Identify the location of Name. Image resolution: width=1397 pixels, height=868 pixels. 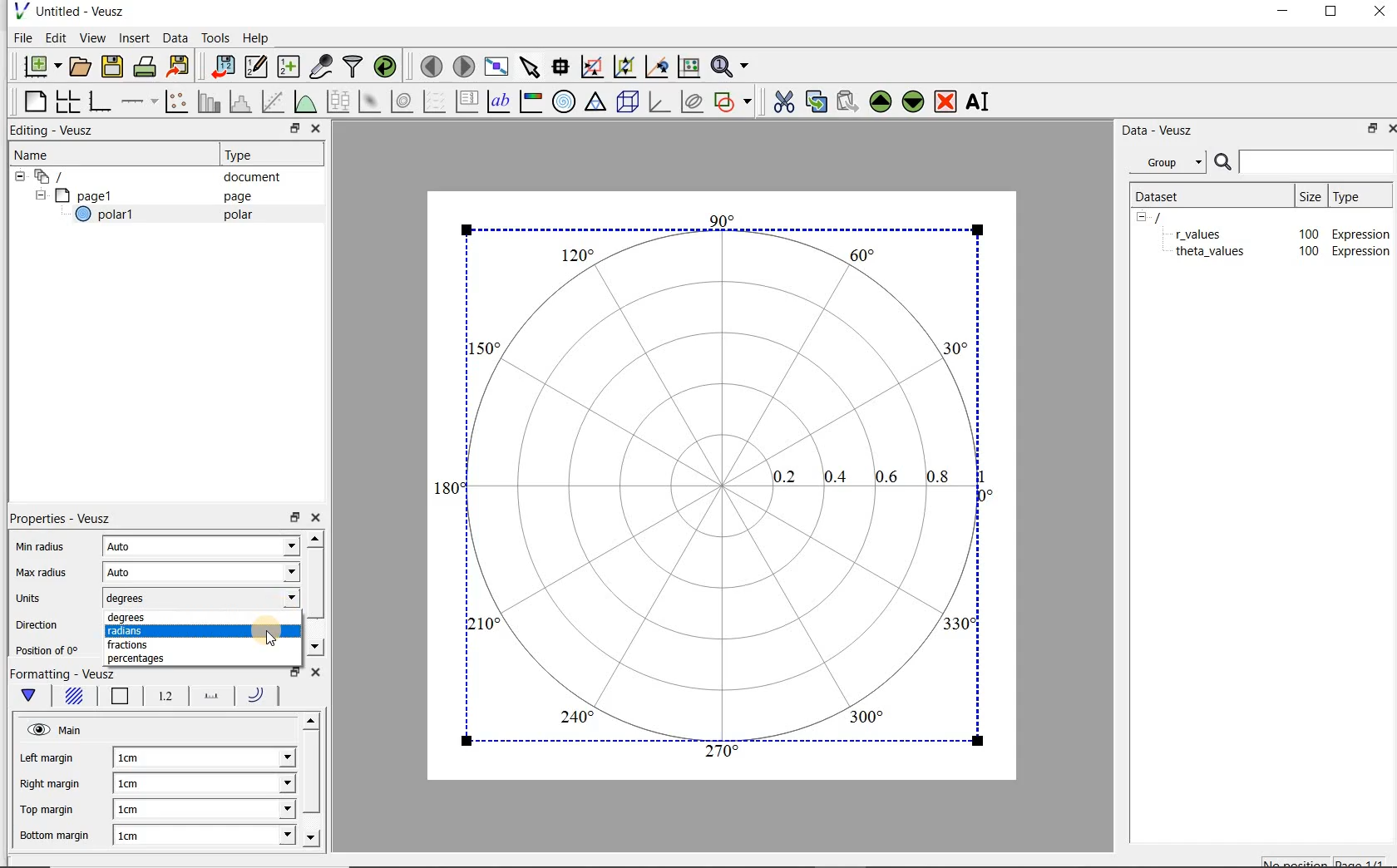
(37, 154).